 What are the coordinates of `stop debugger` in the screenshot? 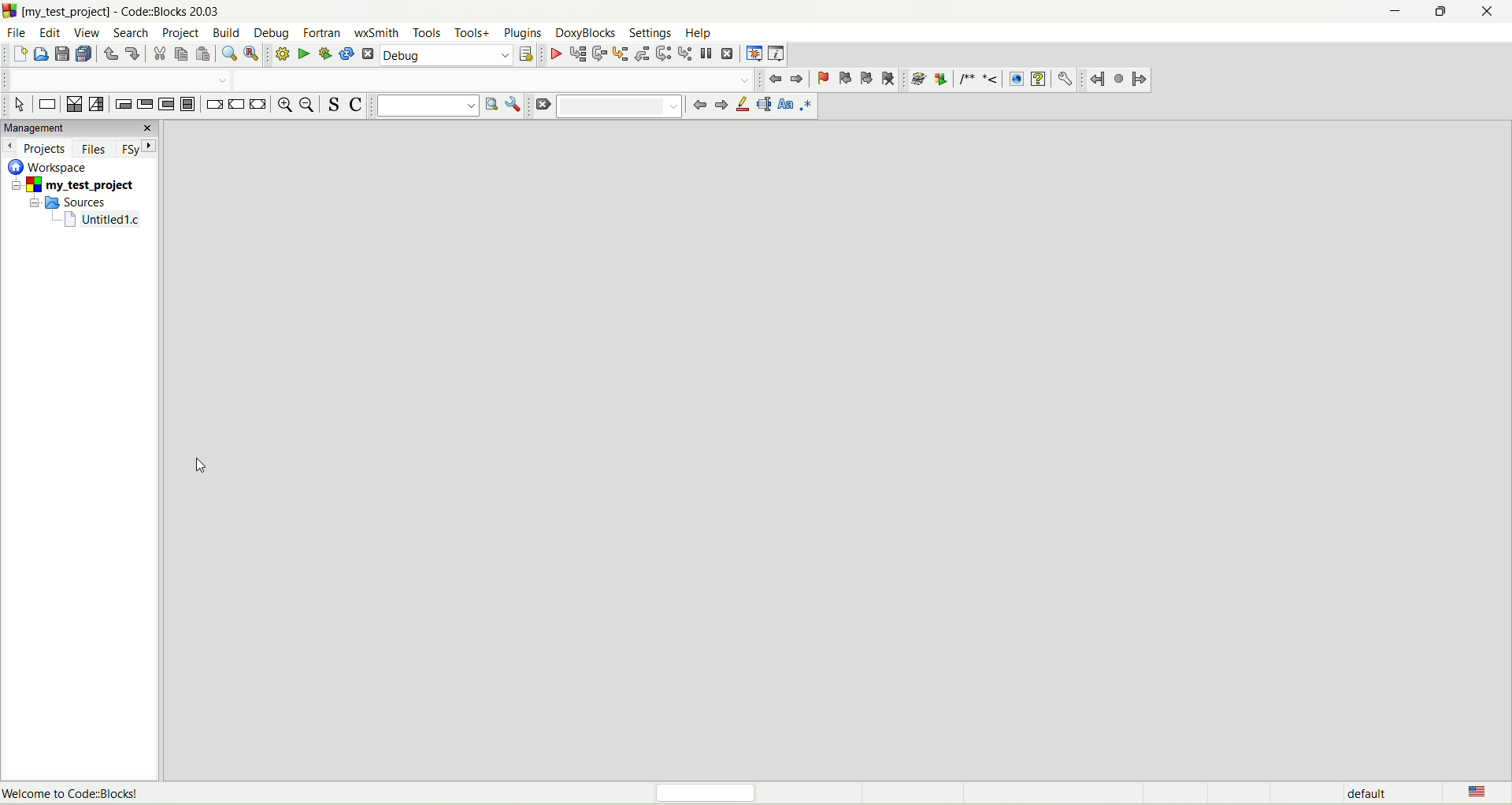 It's located at (730, 54).